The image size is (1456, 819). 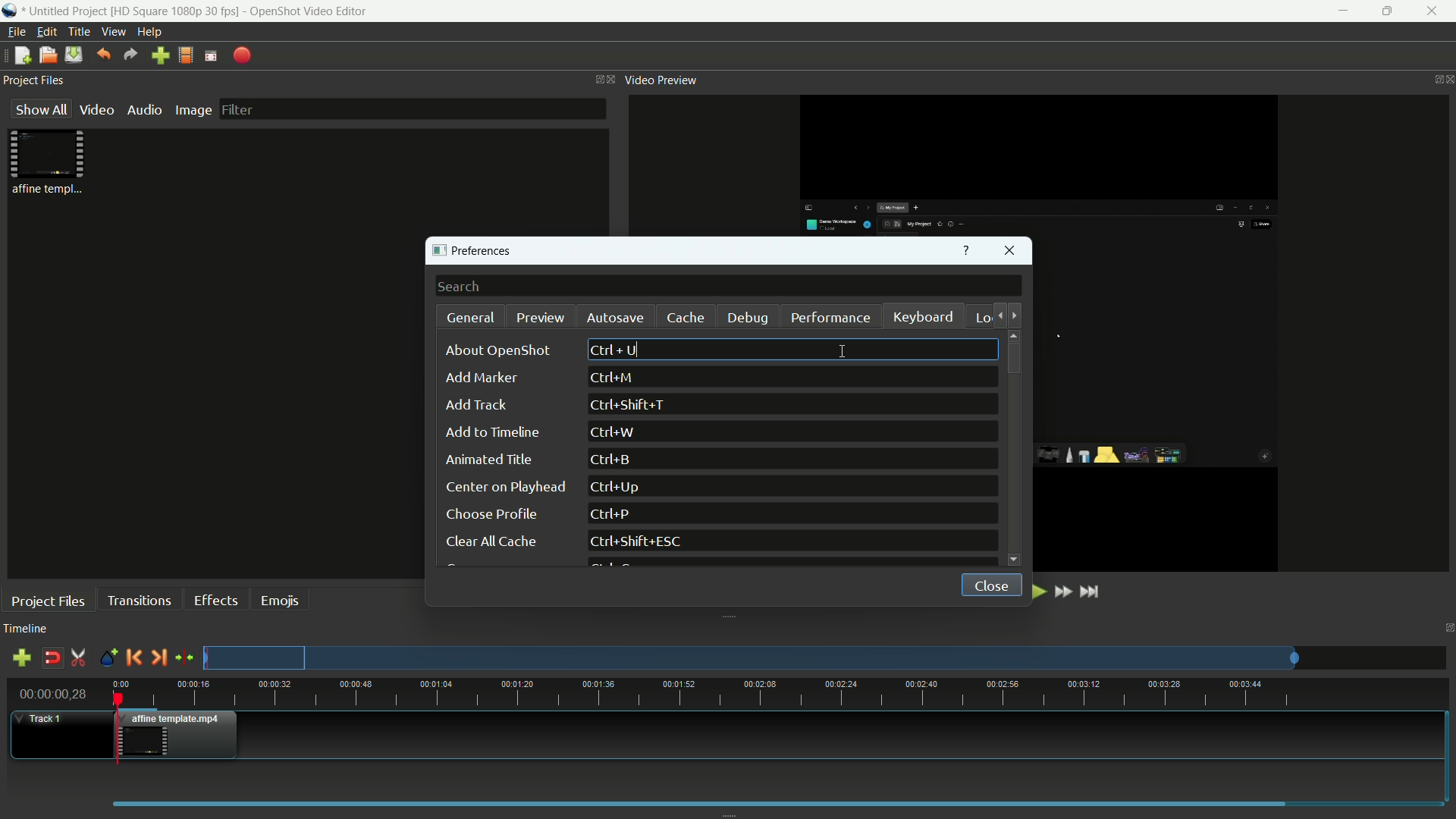 I want to click on search bar, so click(x=729, y=287).